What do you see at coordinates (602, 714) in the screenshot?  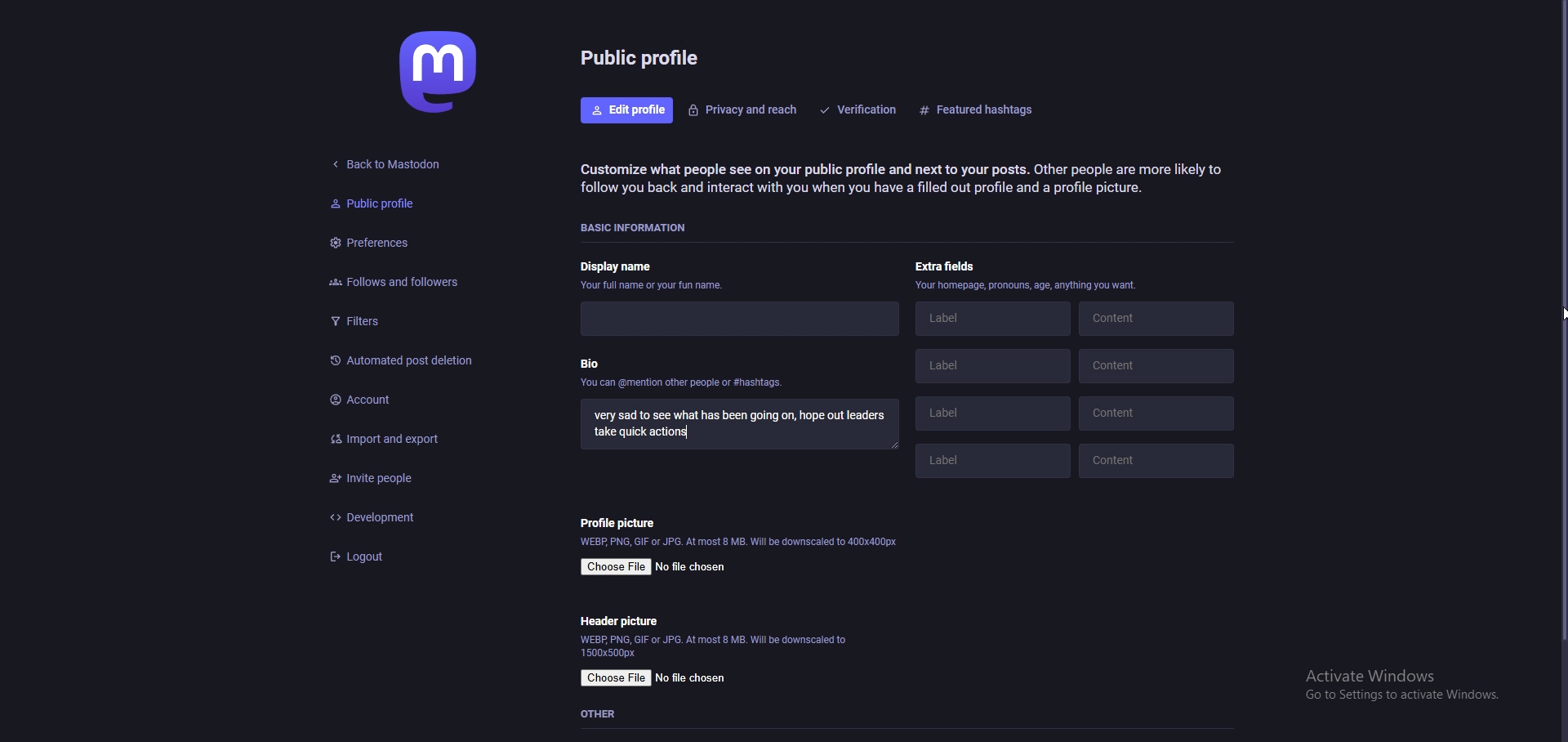 I see `other` at bounding box center [602, 714].